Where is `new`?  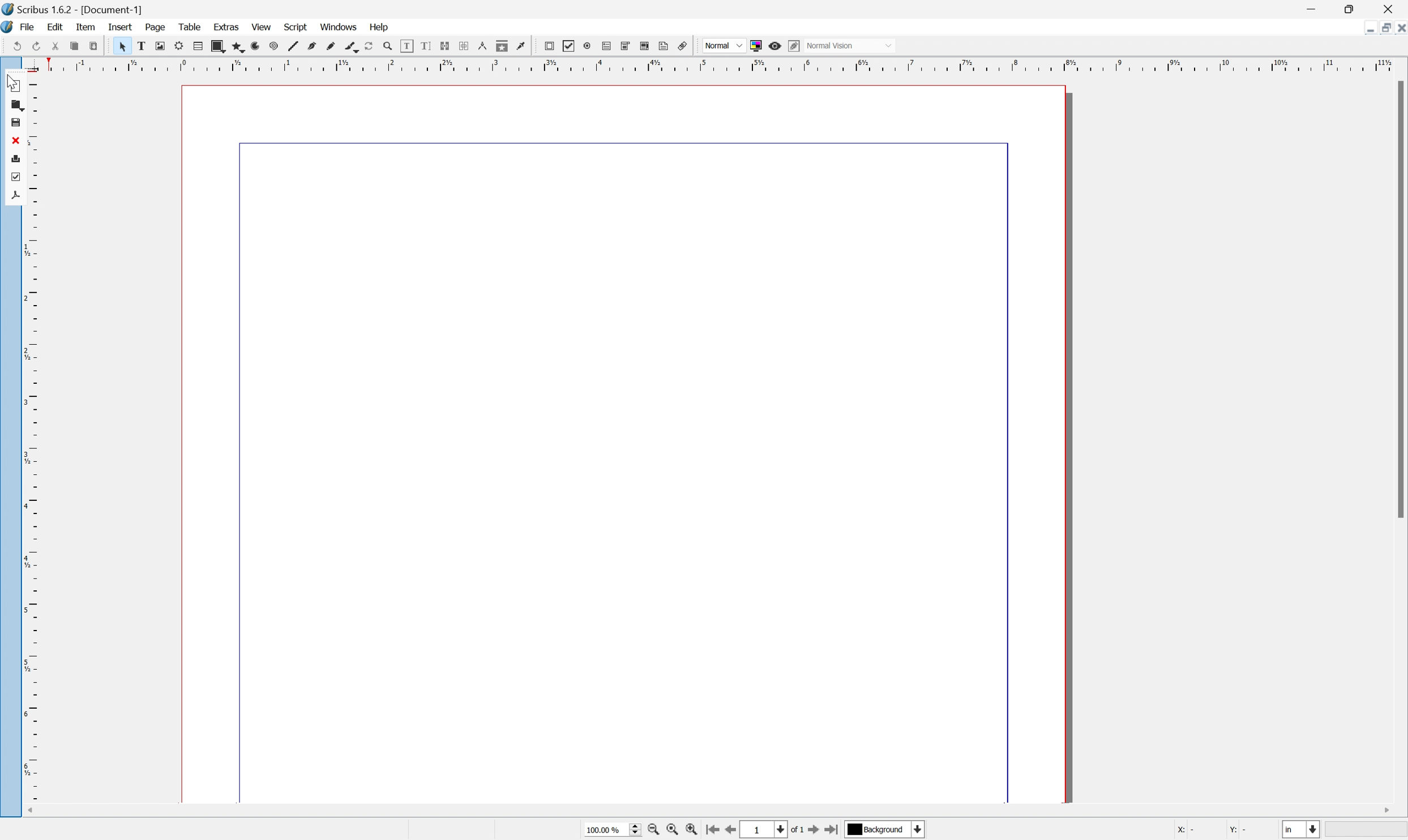
new is located at coordinates (18, 46).